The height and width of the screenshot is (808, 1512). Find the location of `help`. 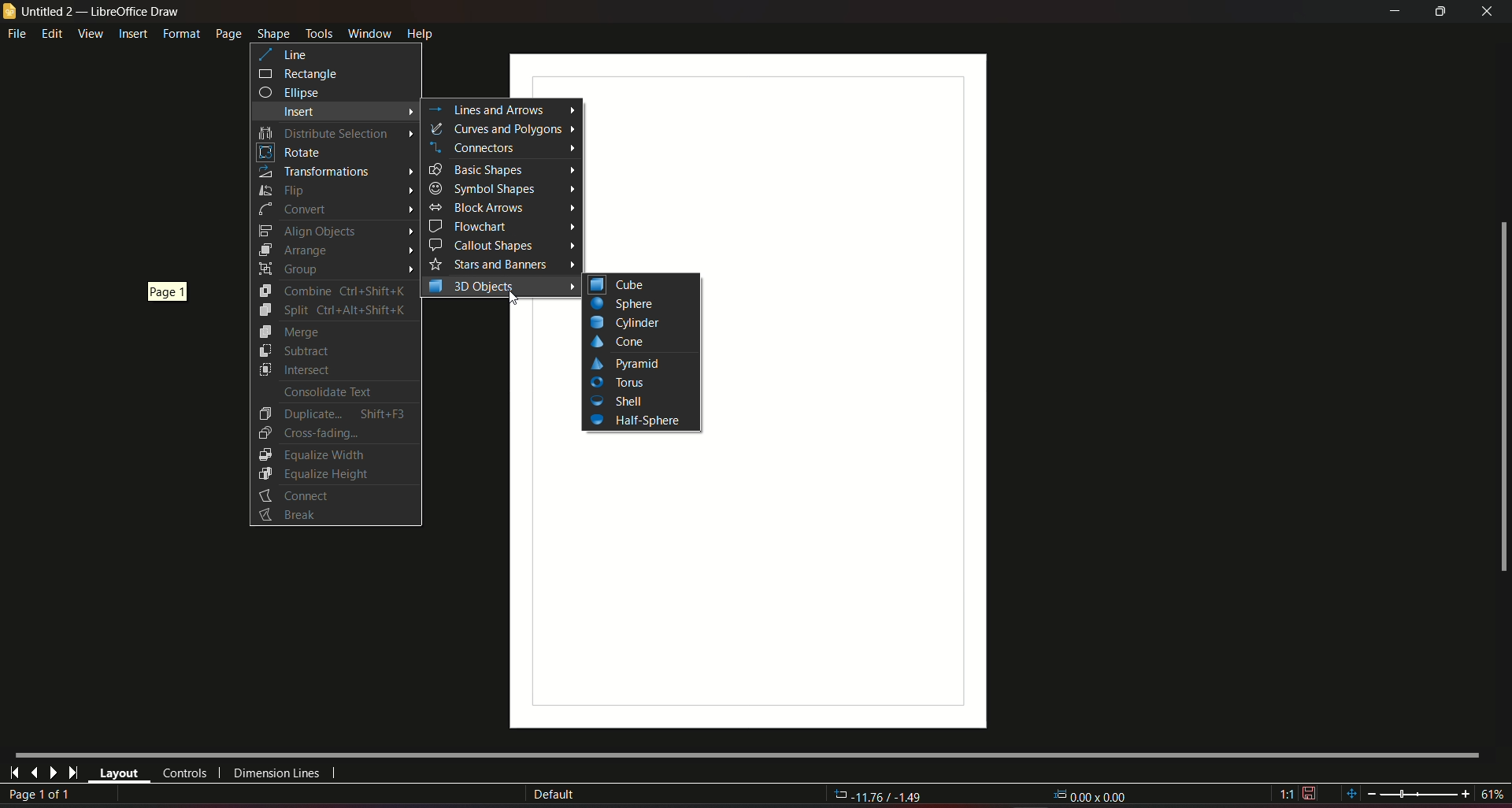

help is located at coordinates (421, 32).